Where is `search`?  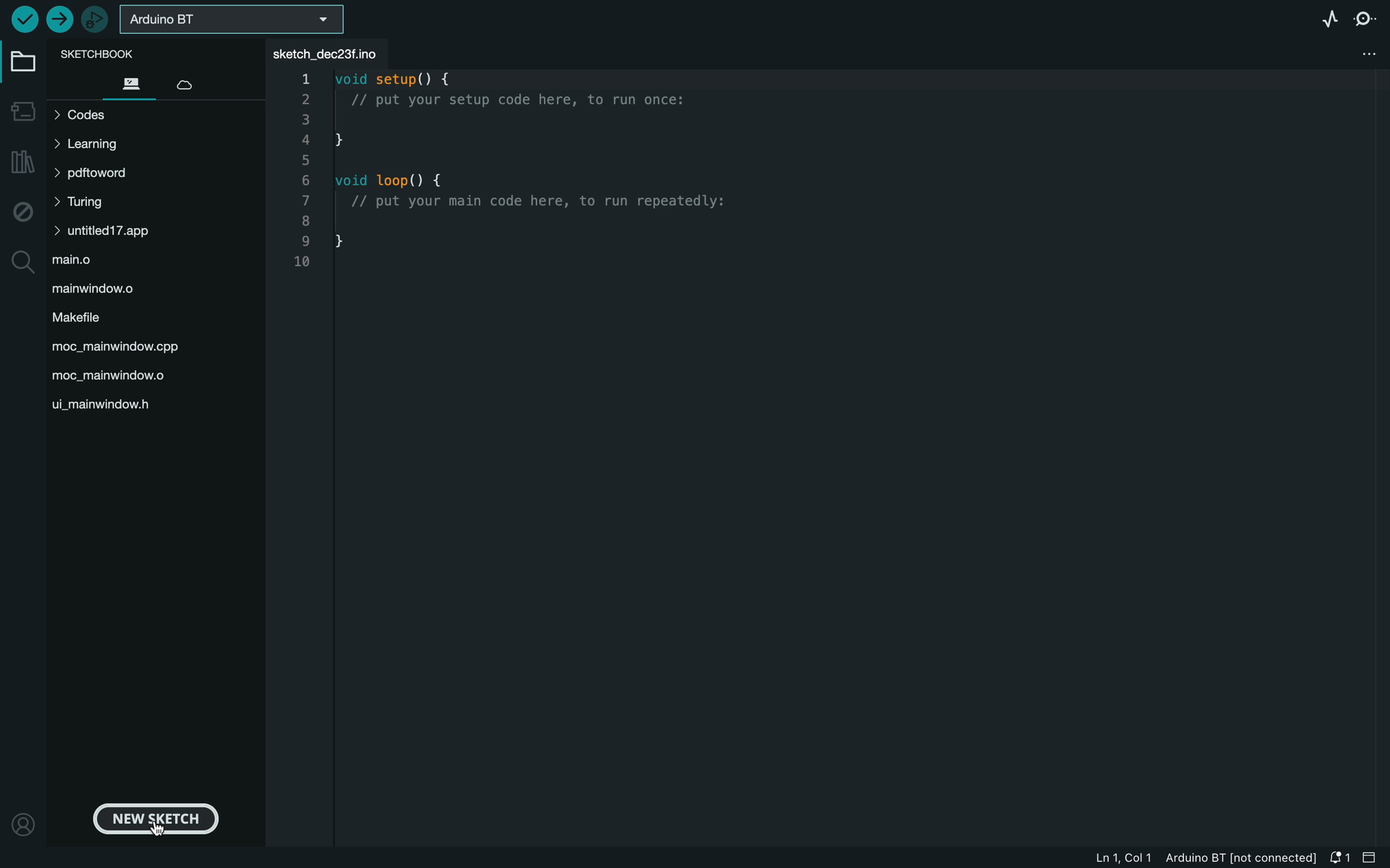
search is located at coordinates (22, 261).